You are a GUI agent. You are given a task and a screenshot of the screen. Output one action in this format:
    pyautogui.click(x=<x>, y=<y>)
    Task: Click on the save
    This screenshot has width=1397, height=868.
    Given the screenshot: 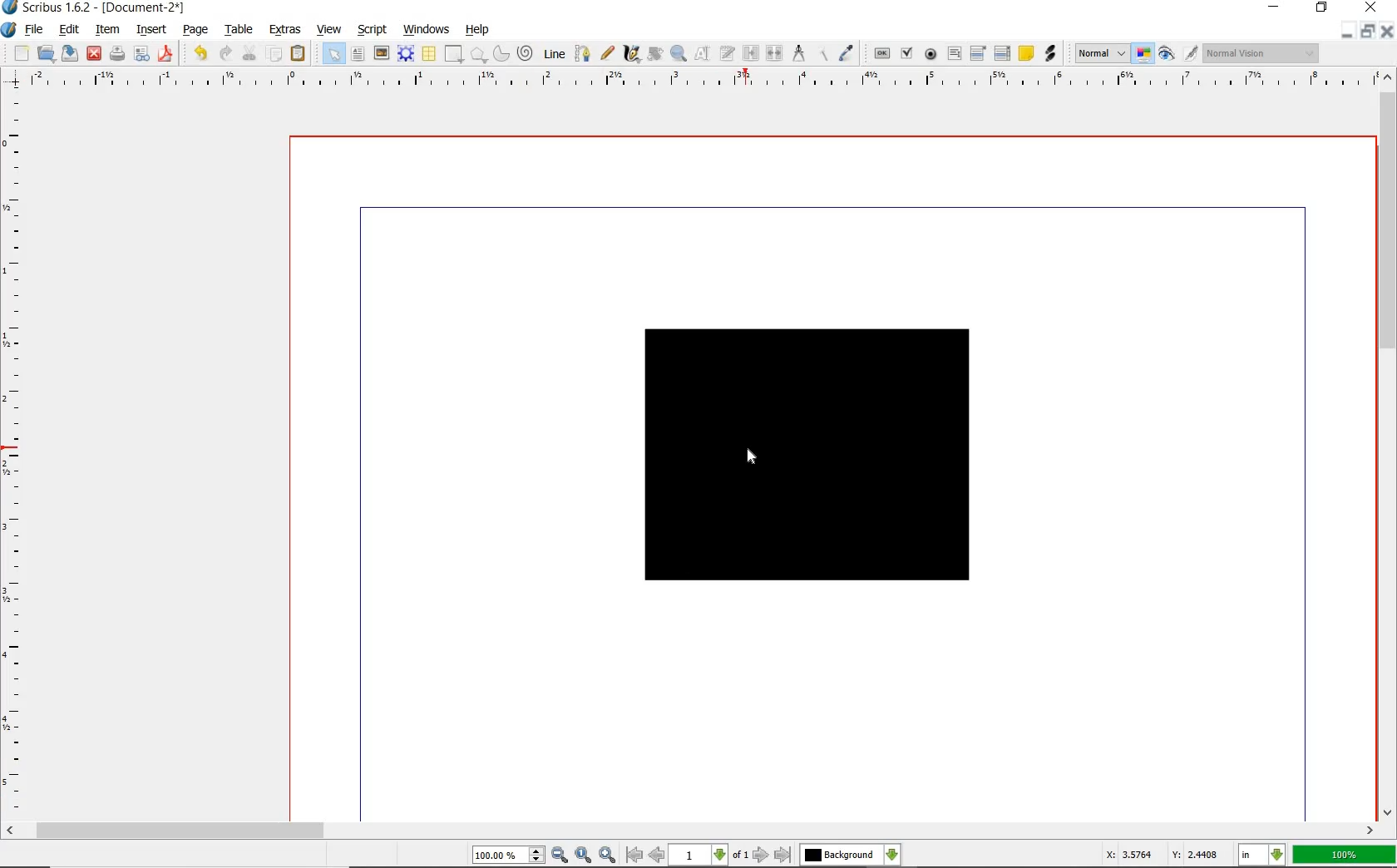 What is the action you would take?
    pyautogui.click(x=69, y=55)
    